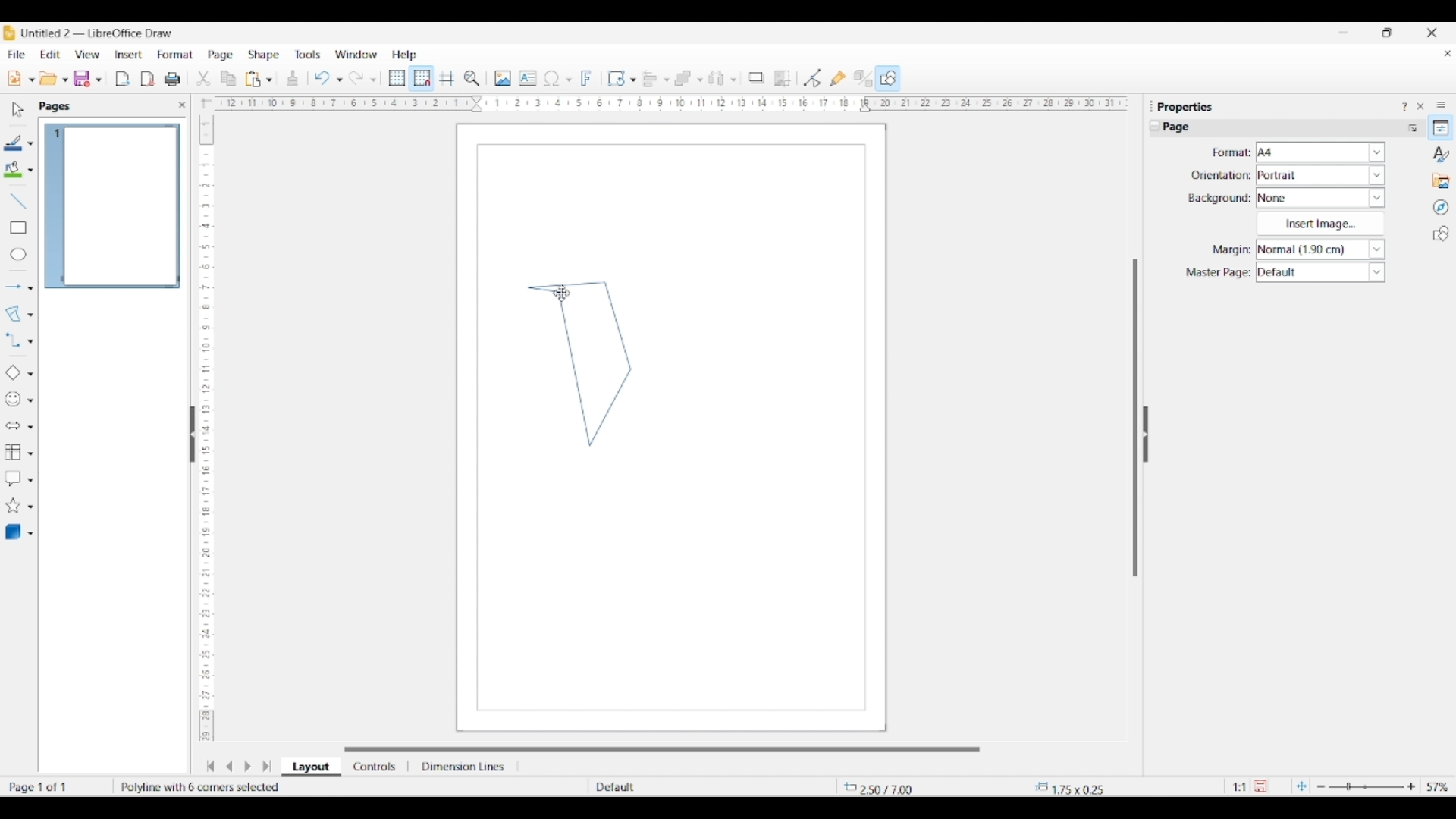 The width and height of the screenshot is (1456, 819). I want to click on New document format options, so click(32, 80).